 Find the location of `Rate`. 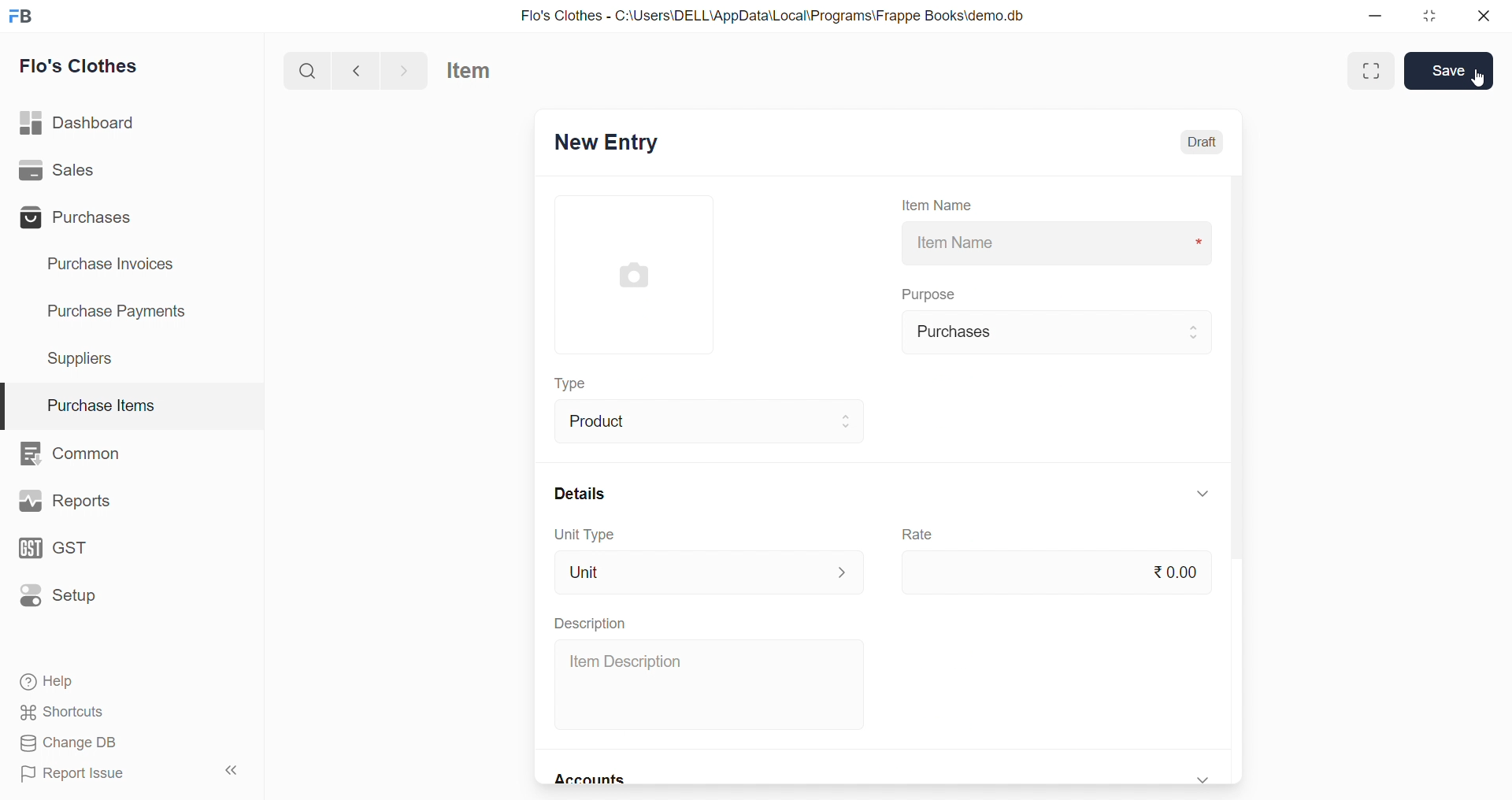

Rate is located at coordinates (920, 535).